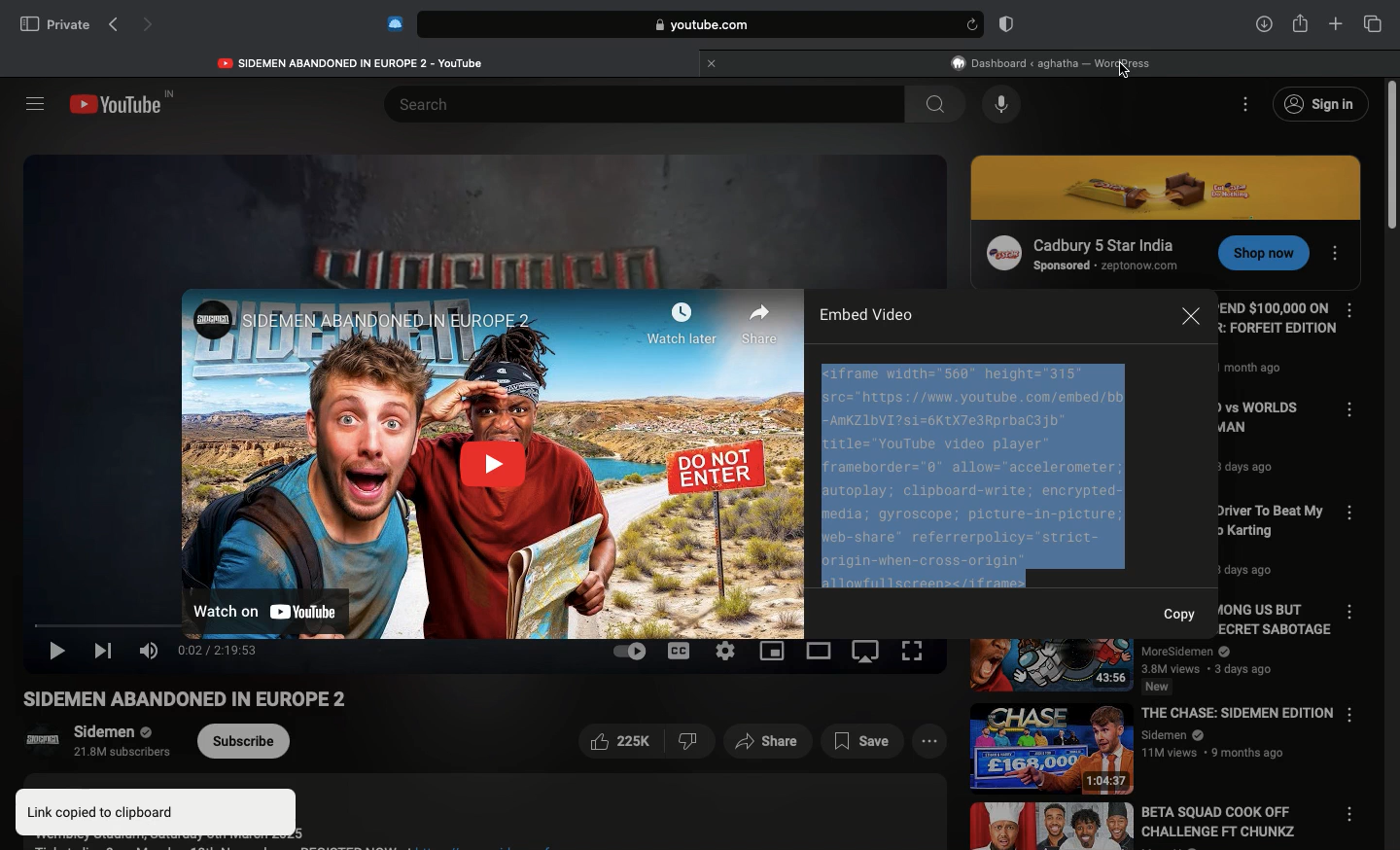 Image resolution: width=1400 pixels, height=850 pixels. I want to click on Volume, so click(148, 651).